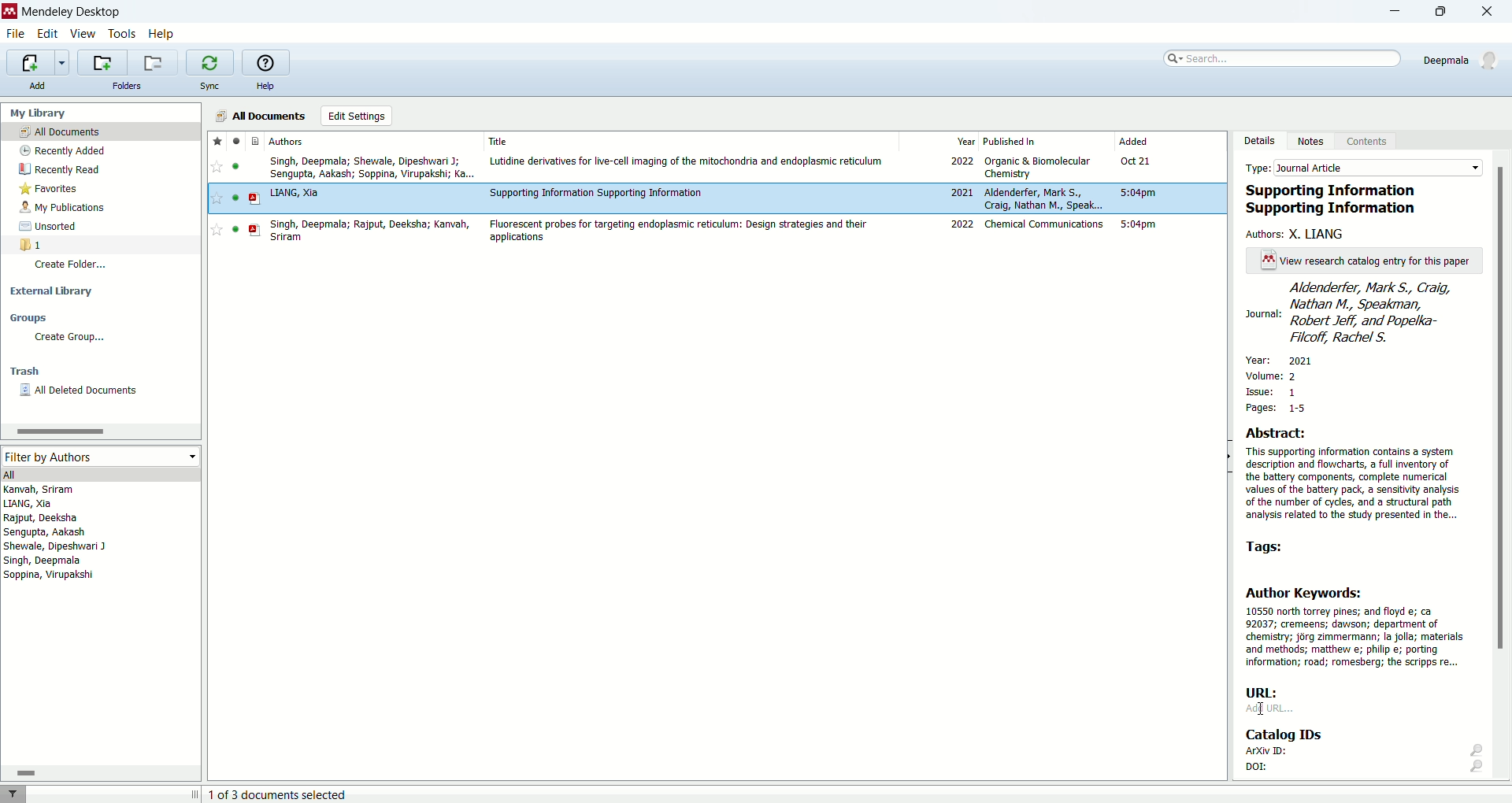 This screenshot has width=1512, height=803. I want to click on all documents, so click(102, 131).